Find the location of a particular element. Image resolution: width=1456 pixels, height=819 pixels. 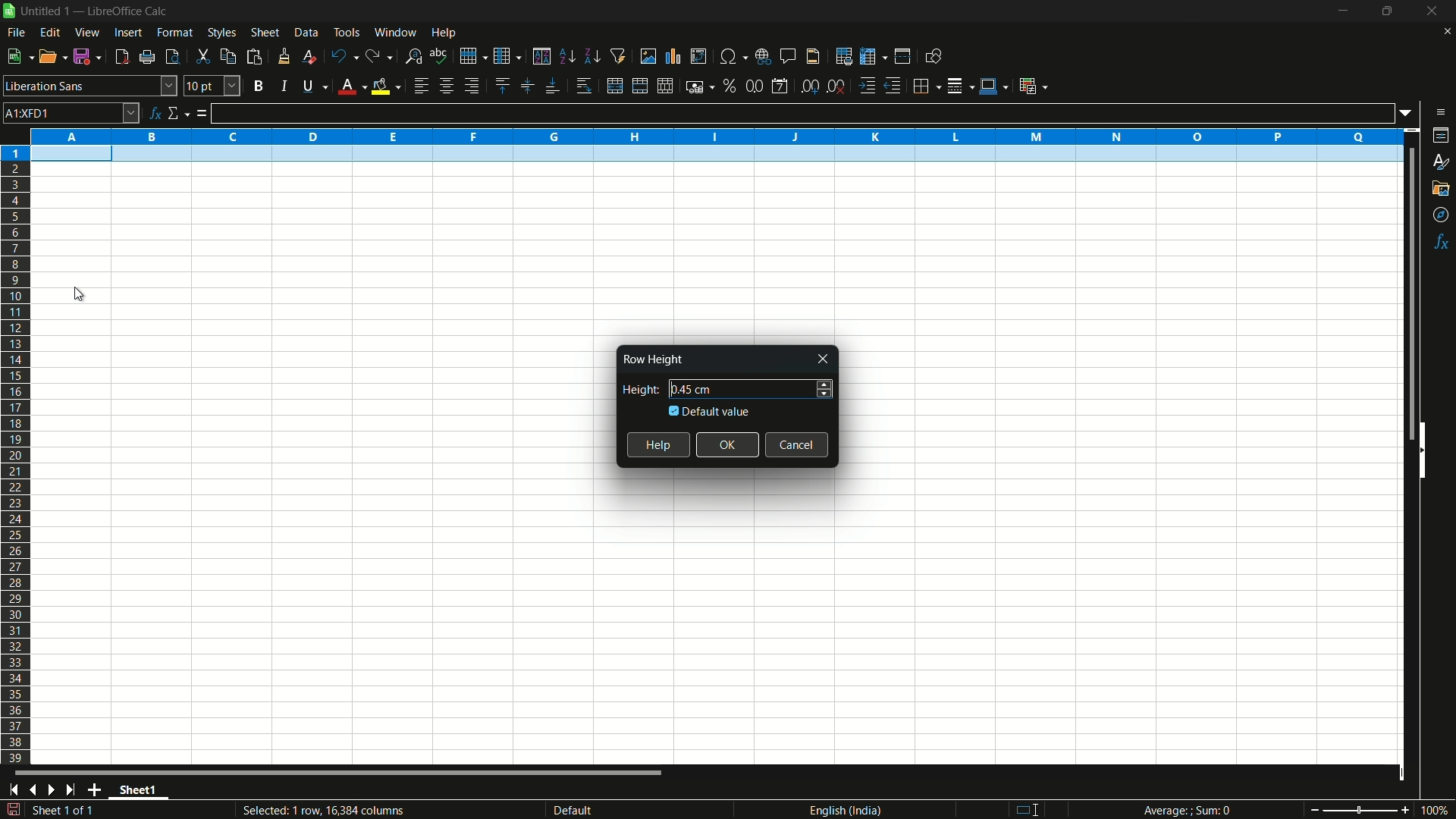

scroll to last sheet is located at coordinates (75, 790).